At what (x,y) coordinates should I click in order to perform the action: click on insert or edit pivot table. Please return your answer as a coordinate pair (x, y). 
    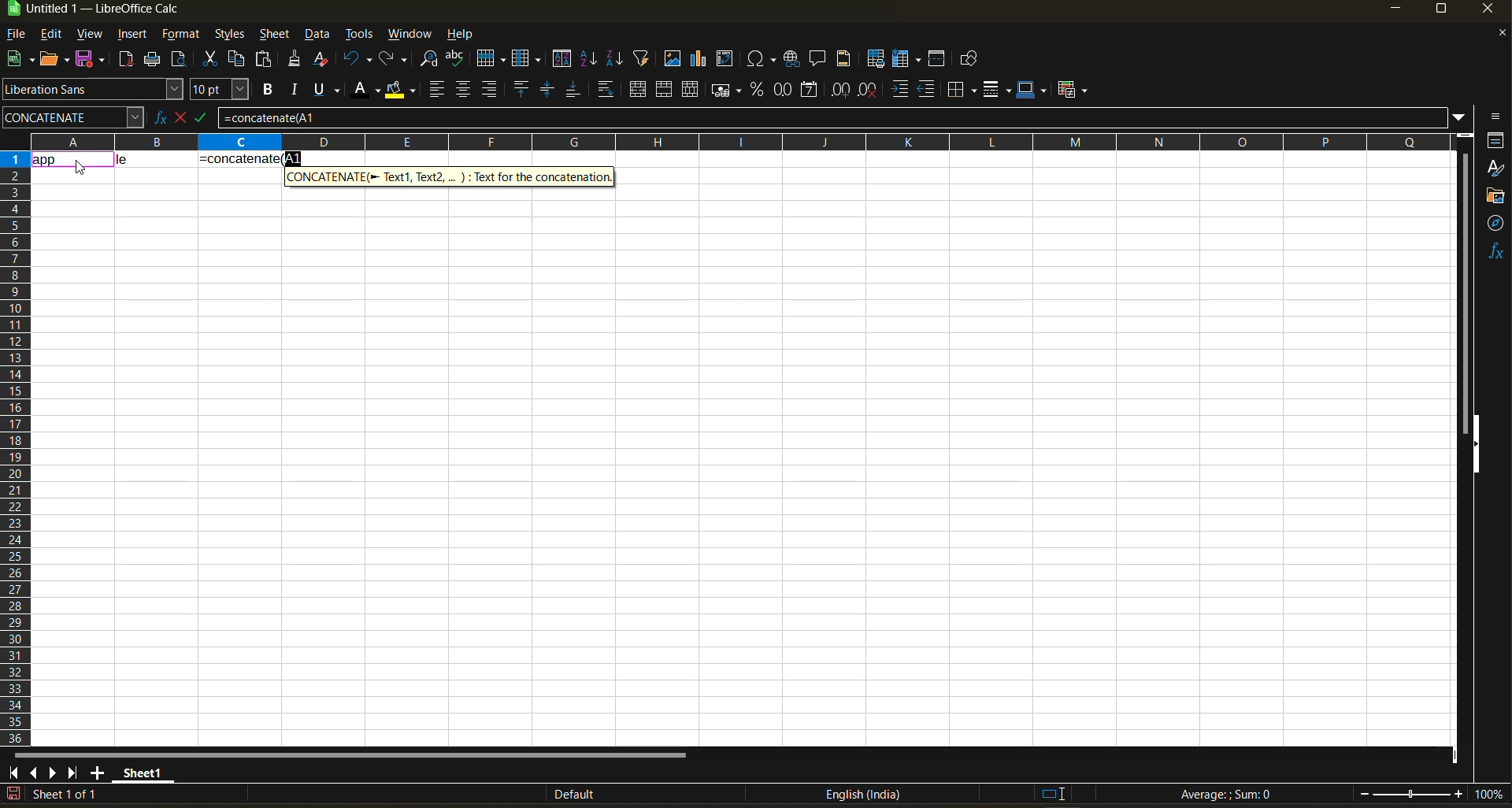
    Looking at the image, I should click on (726, 60).